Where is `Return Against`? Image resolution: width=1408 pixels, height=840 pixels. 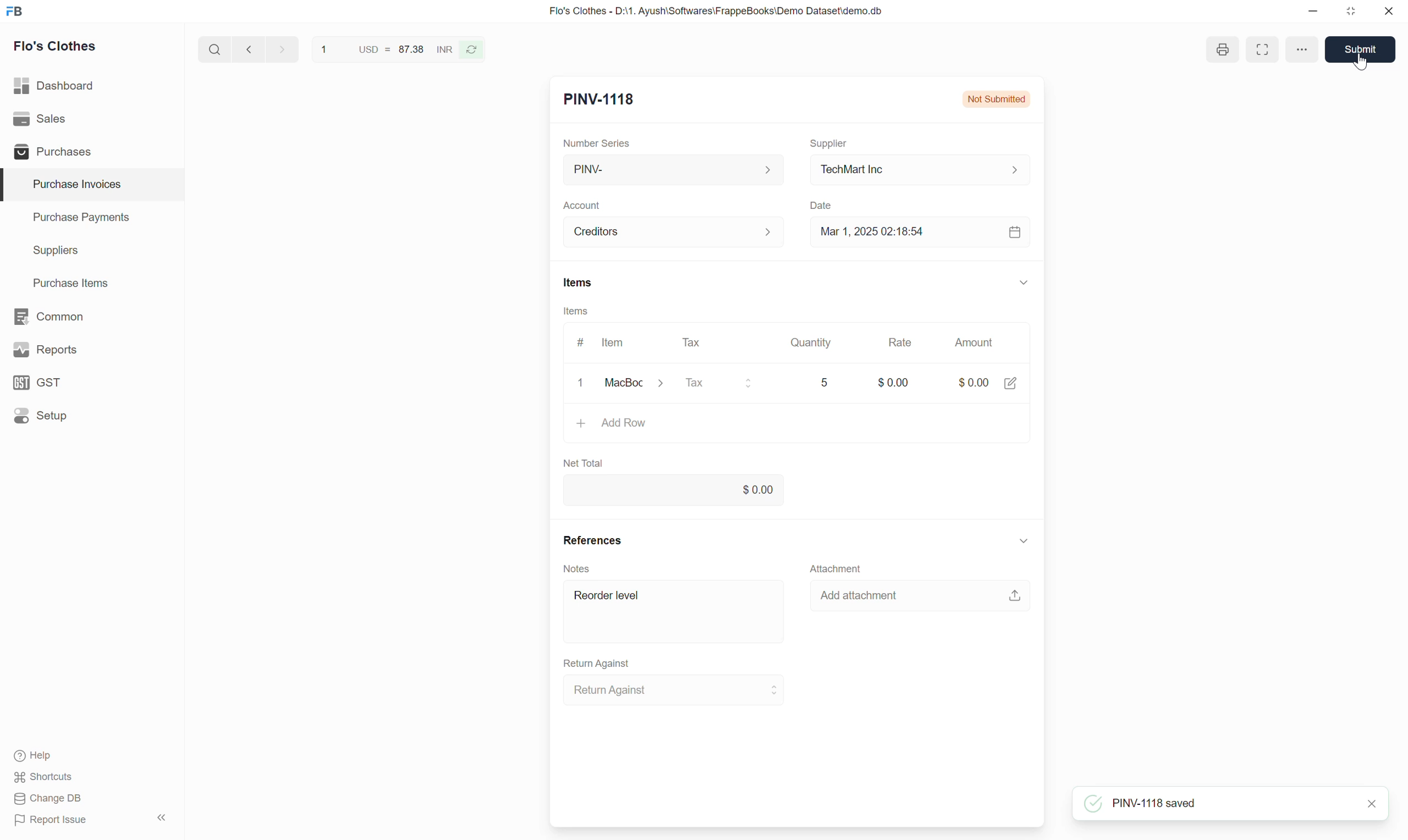 Return Against is located at coordinates (597, 664).